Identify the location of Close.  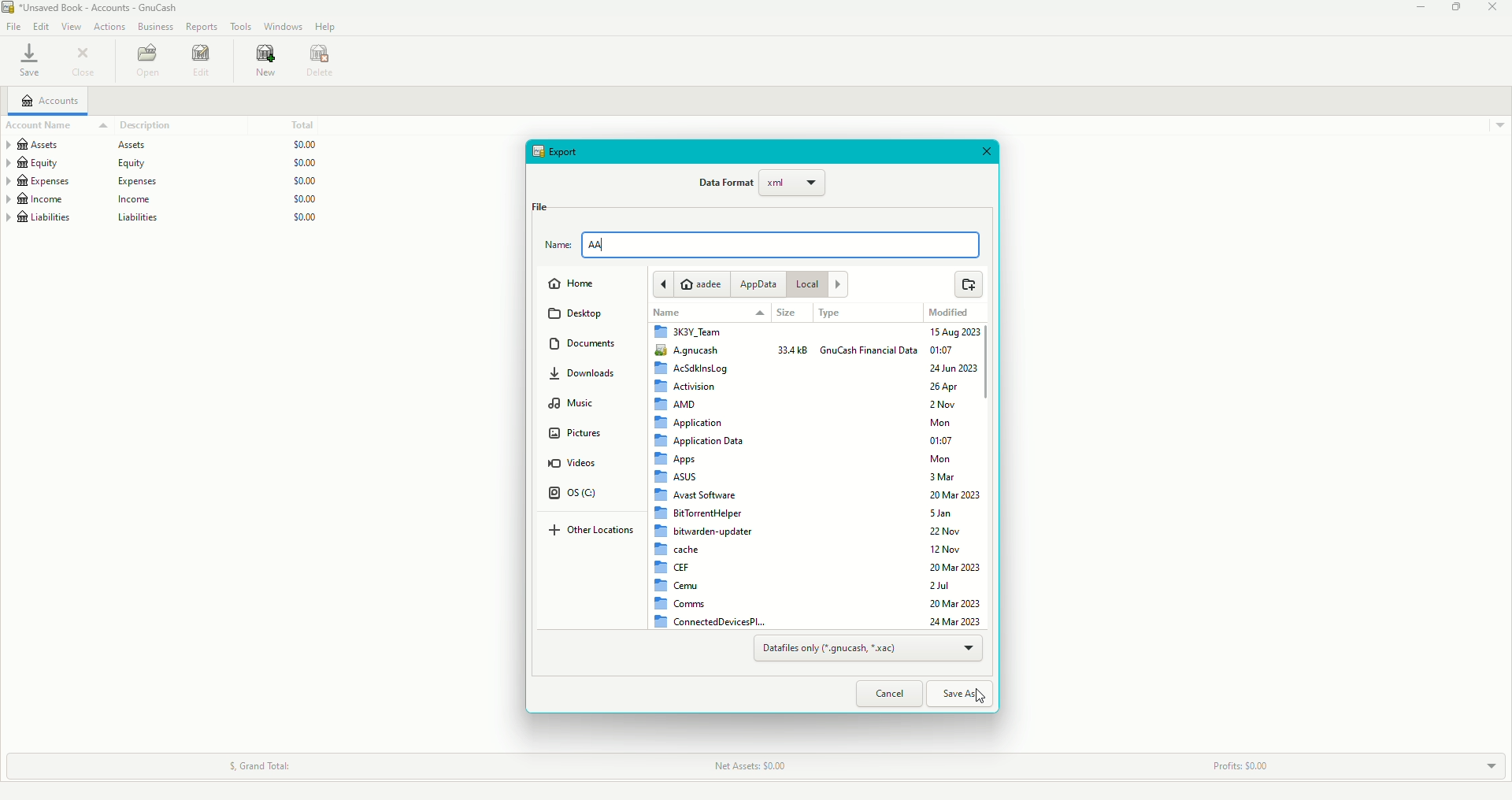
(991, 153).